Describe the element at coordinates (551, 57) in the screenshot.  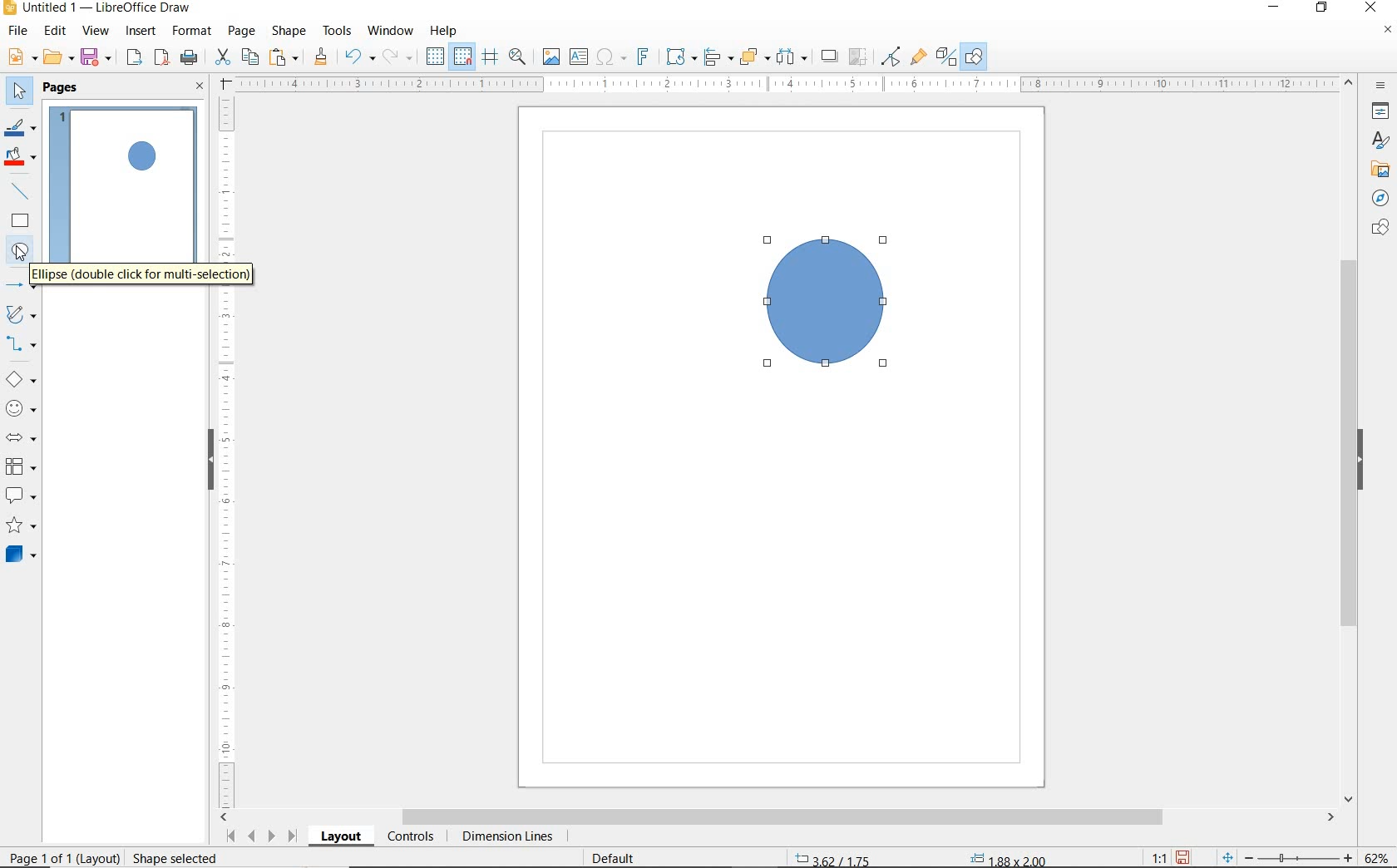
I see `INSERT IMAGE` at that location.